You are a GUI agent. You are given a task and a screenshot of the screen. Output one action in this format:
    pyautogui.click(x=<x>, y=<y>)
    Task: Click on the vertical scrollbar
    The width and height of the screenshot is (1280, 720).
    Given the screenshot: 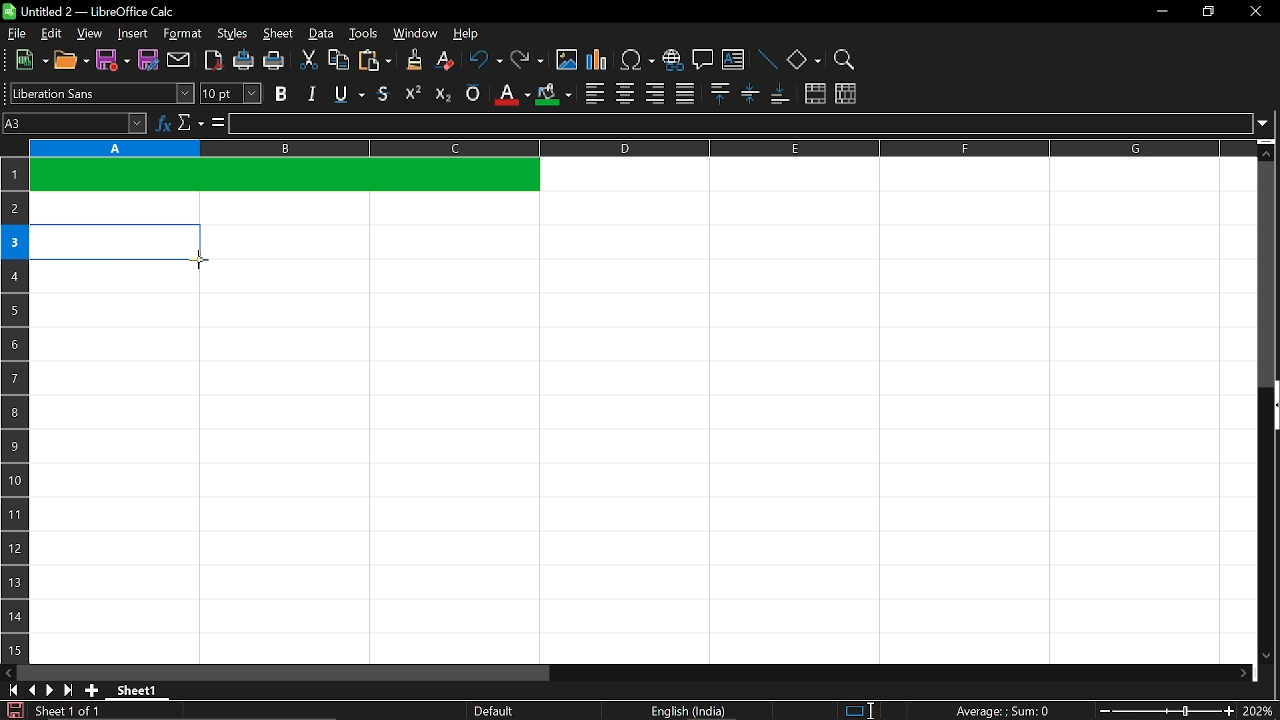 What is the action you would take?
    pyautogui.click(x=1268, y=274)
    